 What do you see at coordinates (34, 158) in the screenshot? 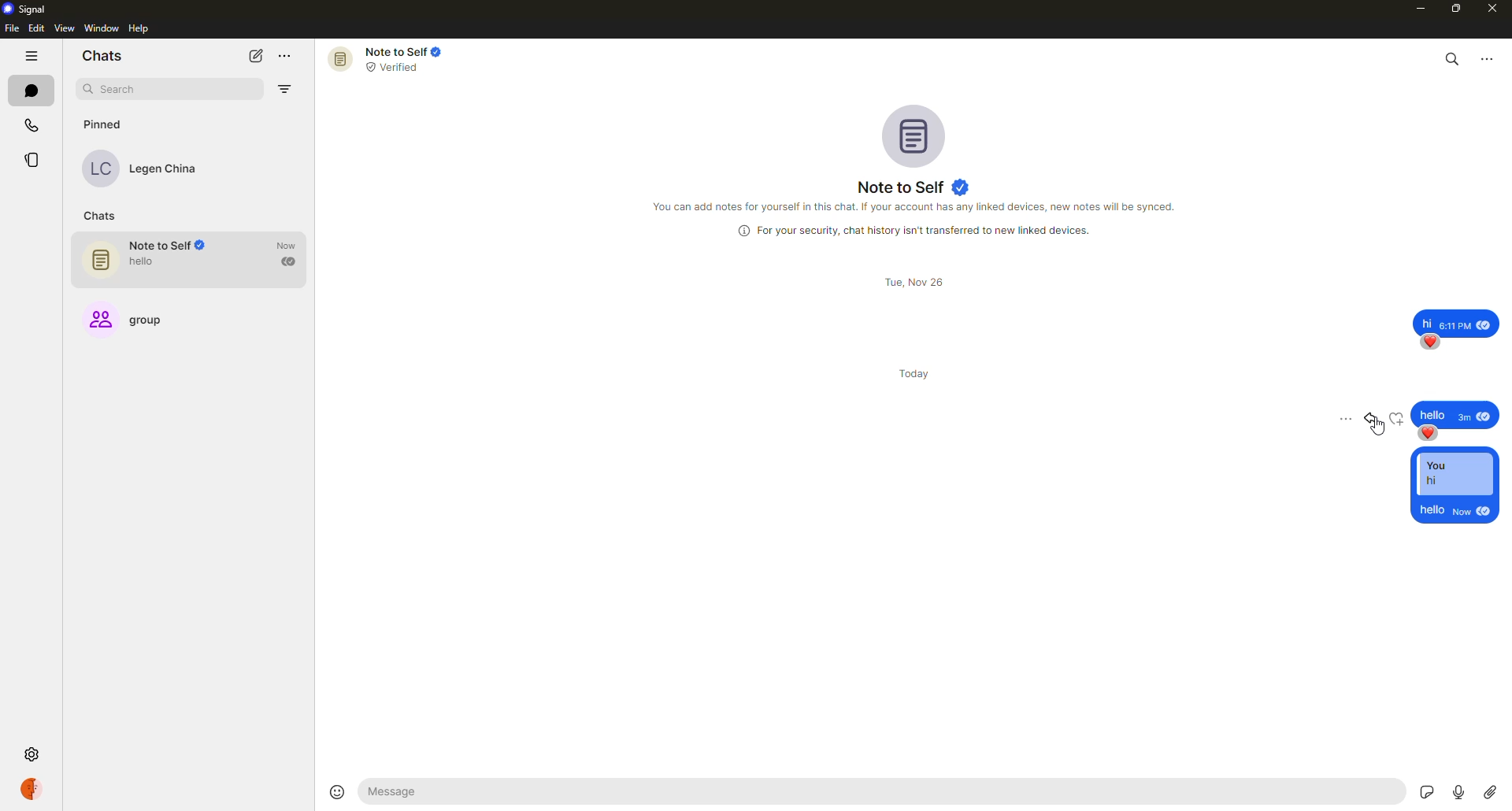
I see `stories` at bounding box center [34, 158].